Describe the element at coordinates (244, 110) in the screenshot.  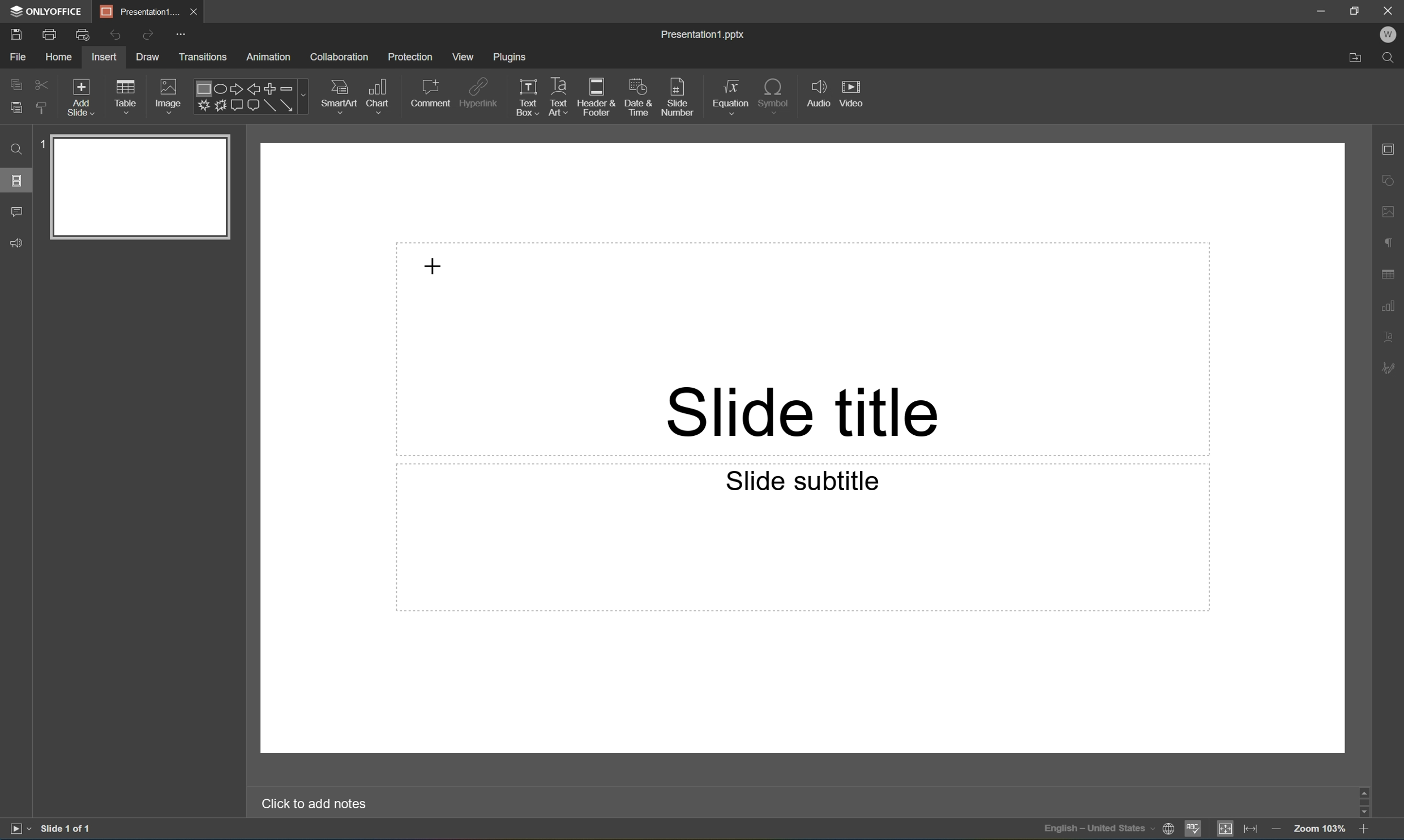
I see `Rectangle` at that location.